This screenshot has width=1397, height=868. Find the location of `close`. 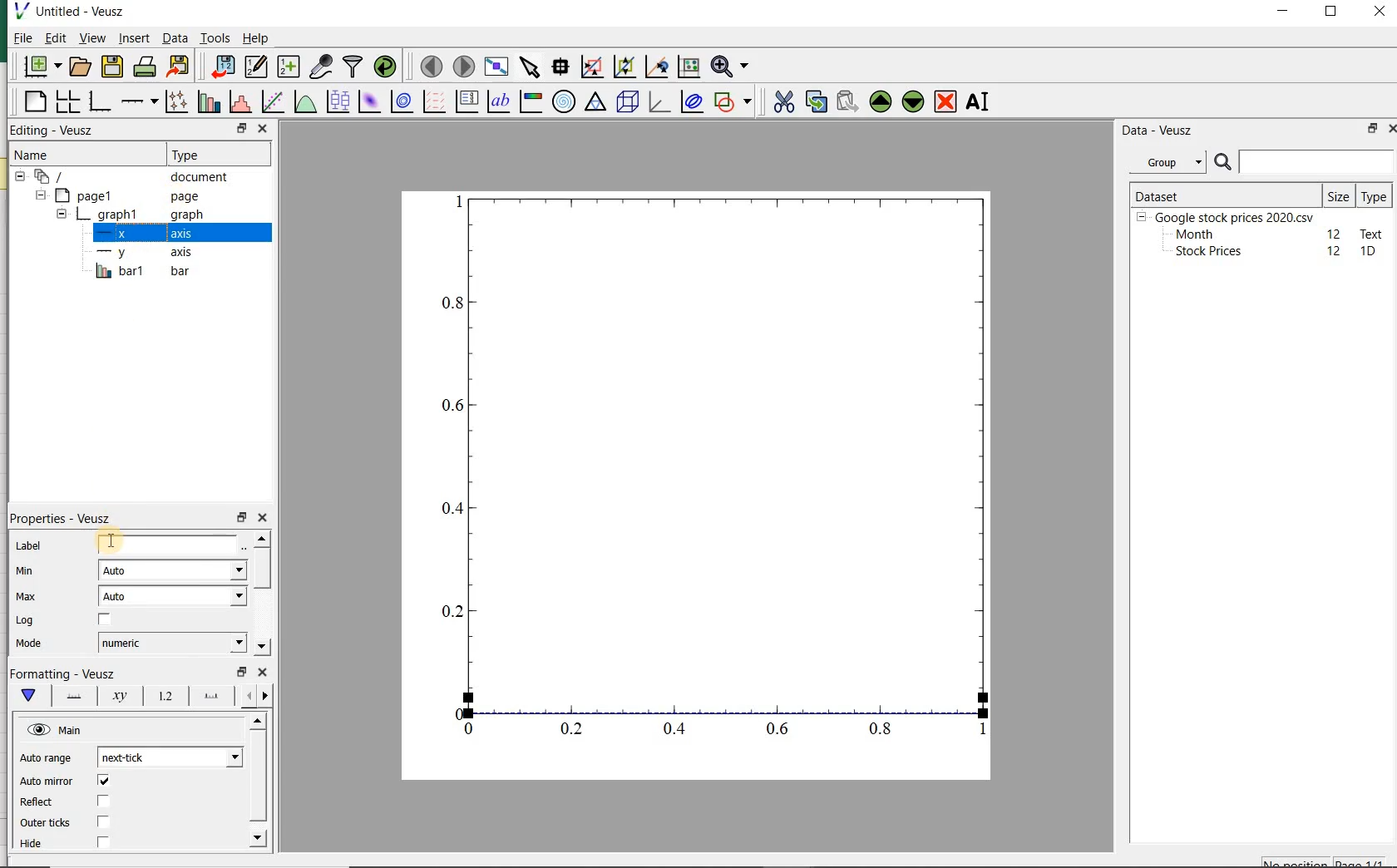

close is located at coordinates (262, 673).